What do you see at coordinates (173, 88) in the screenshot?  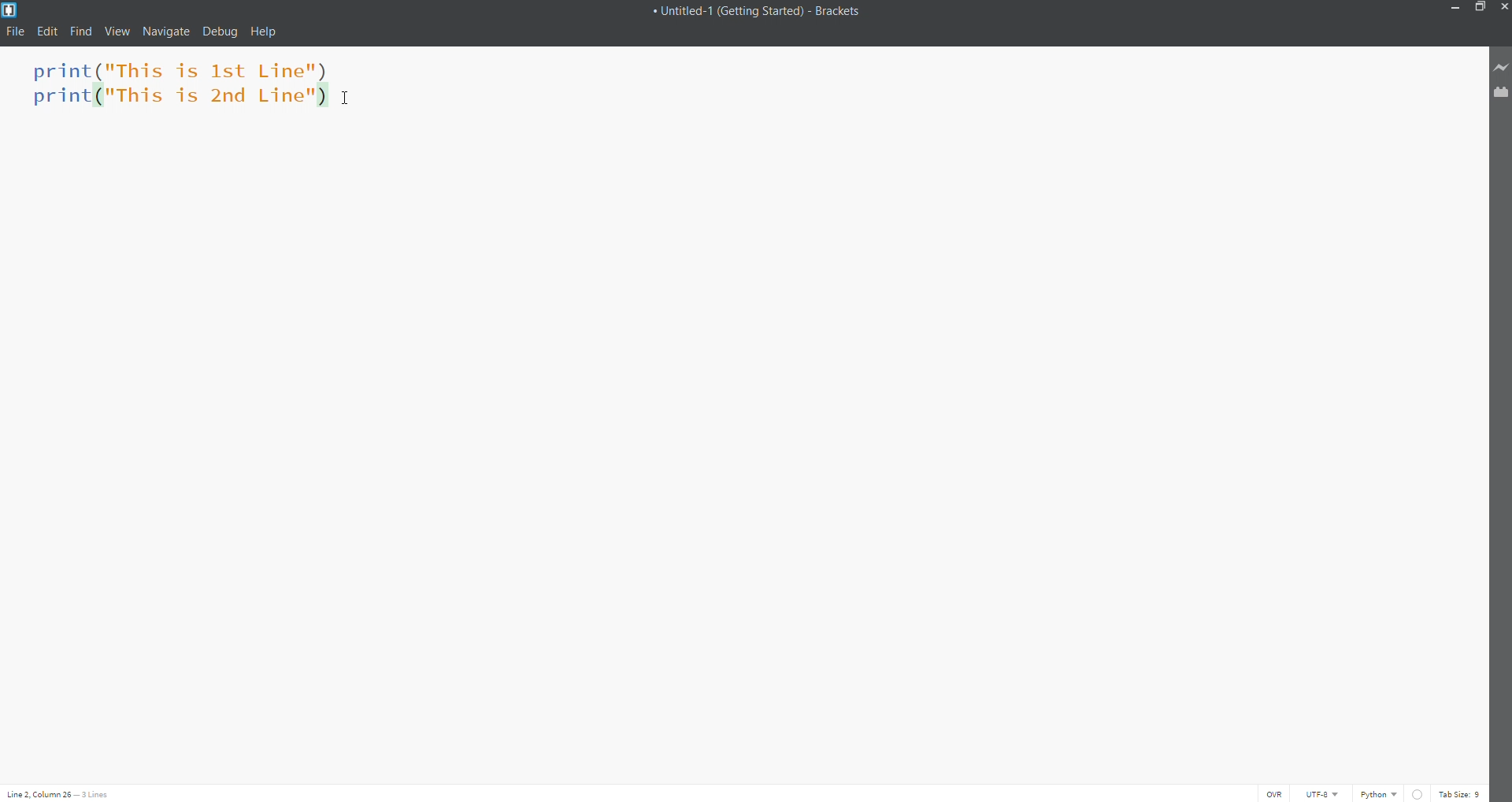 I see `print ("This is 1st Line")
print("This is 2nd Line")` at bounding box center [173, 88].